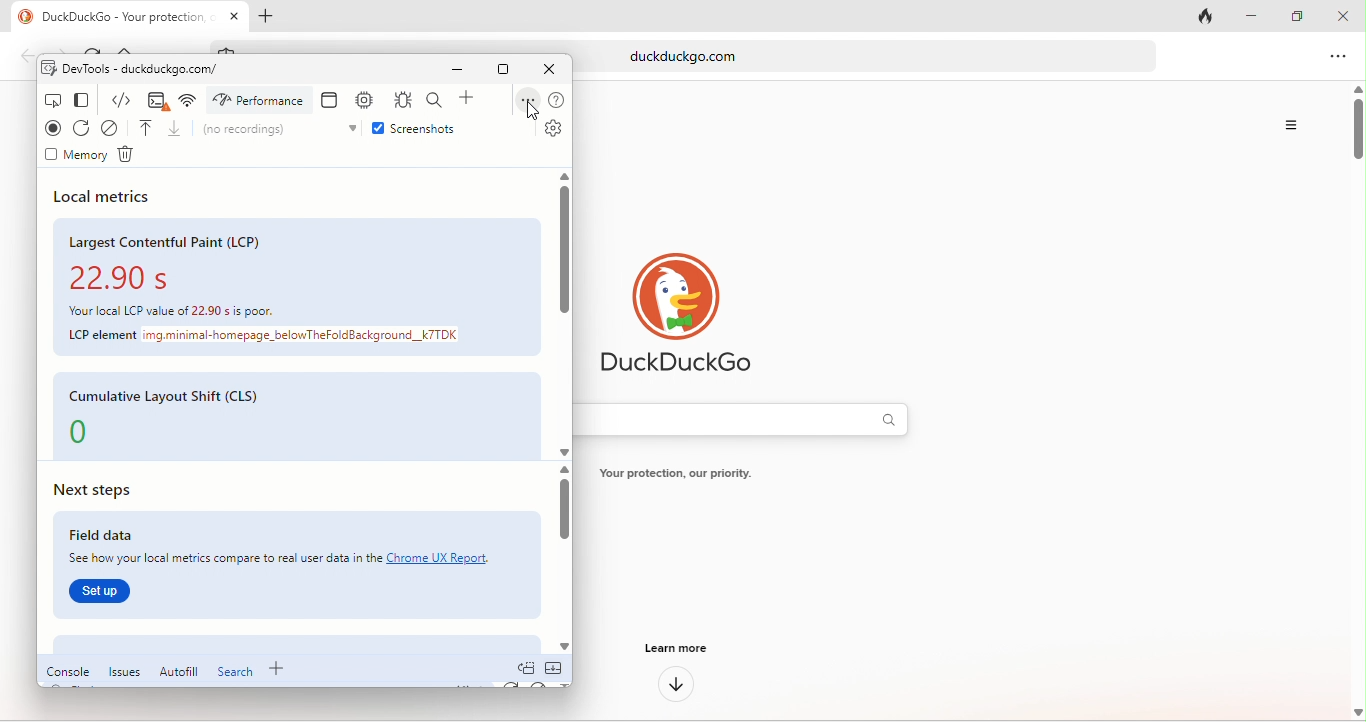 Image resolution: width=1366 pixels, height=722 pixels. What do you see at coordinates (405, 101) in the screenshot?
I see `sources` at bounding box center [405, 101].